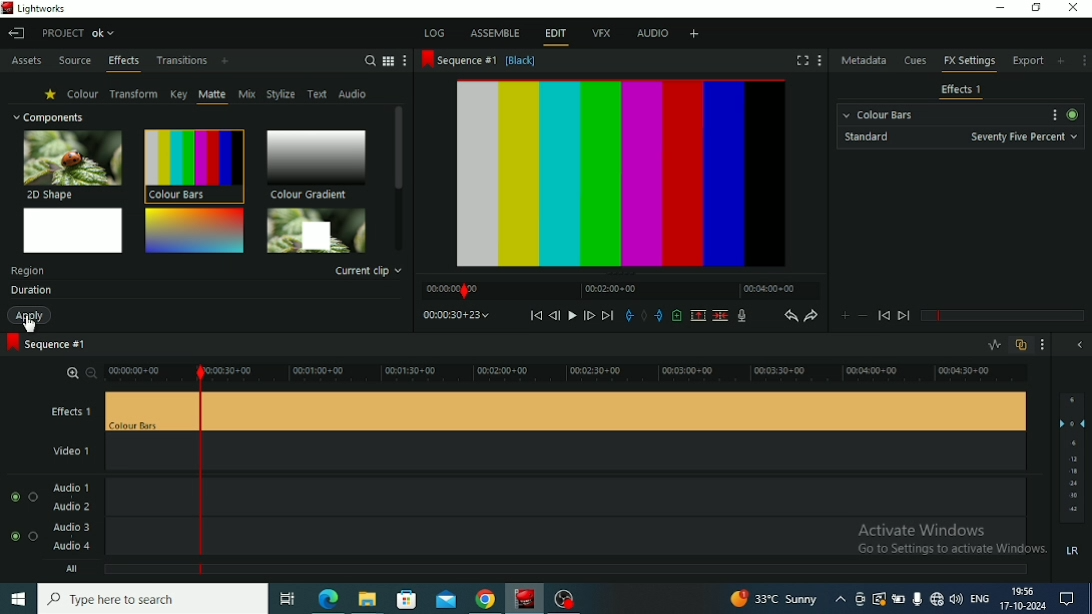 This screenshot has height=614, width=1092. Describe the element at coordinates (644, 315) in the screenshot. I see `Clear all Marks` at that location.